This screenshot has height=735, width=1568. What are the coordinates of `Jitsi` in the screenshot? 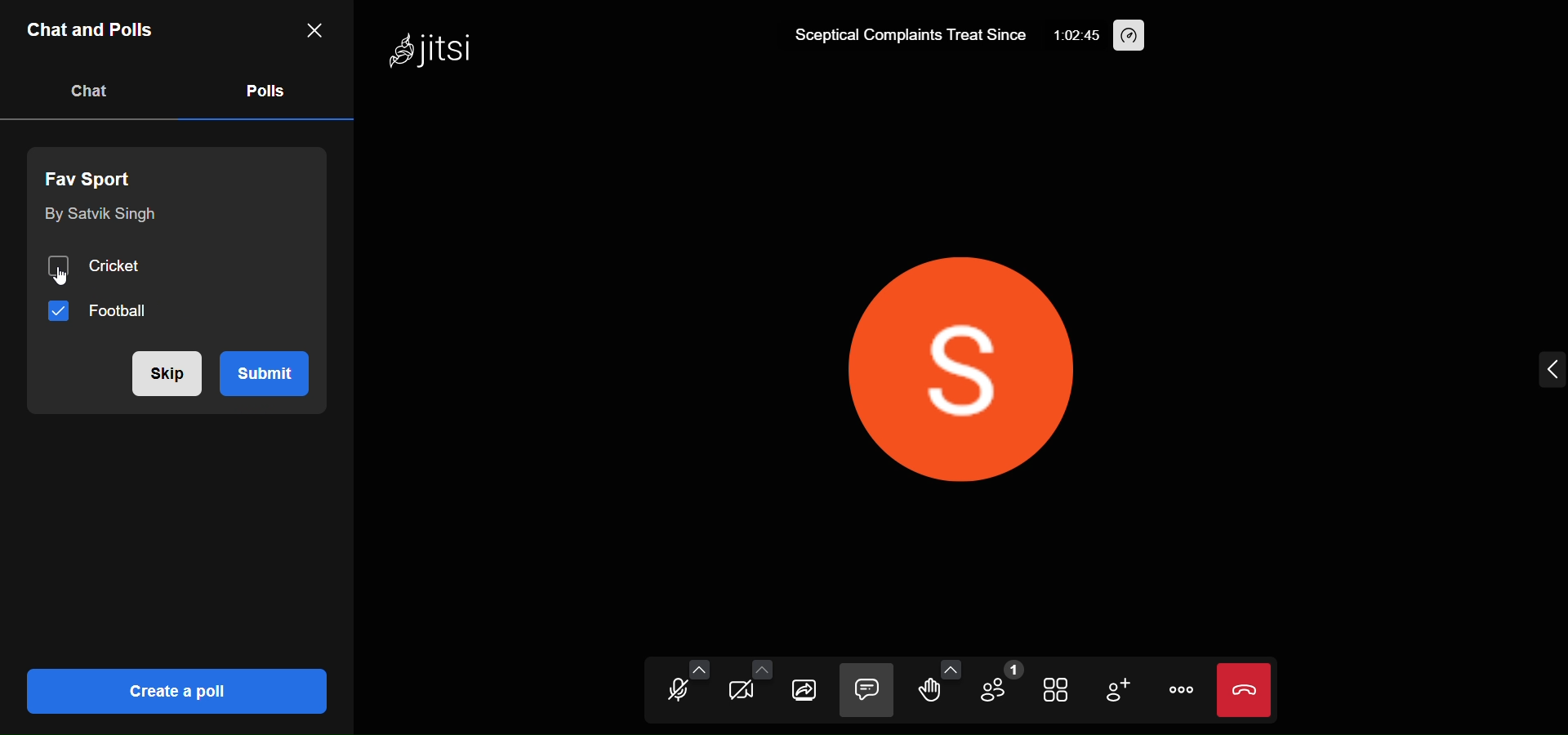 It's located at (433, 53).